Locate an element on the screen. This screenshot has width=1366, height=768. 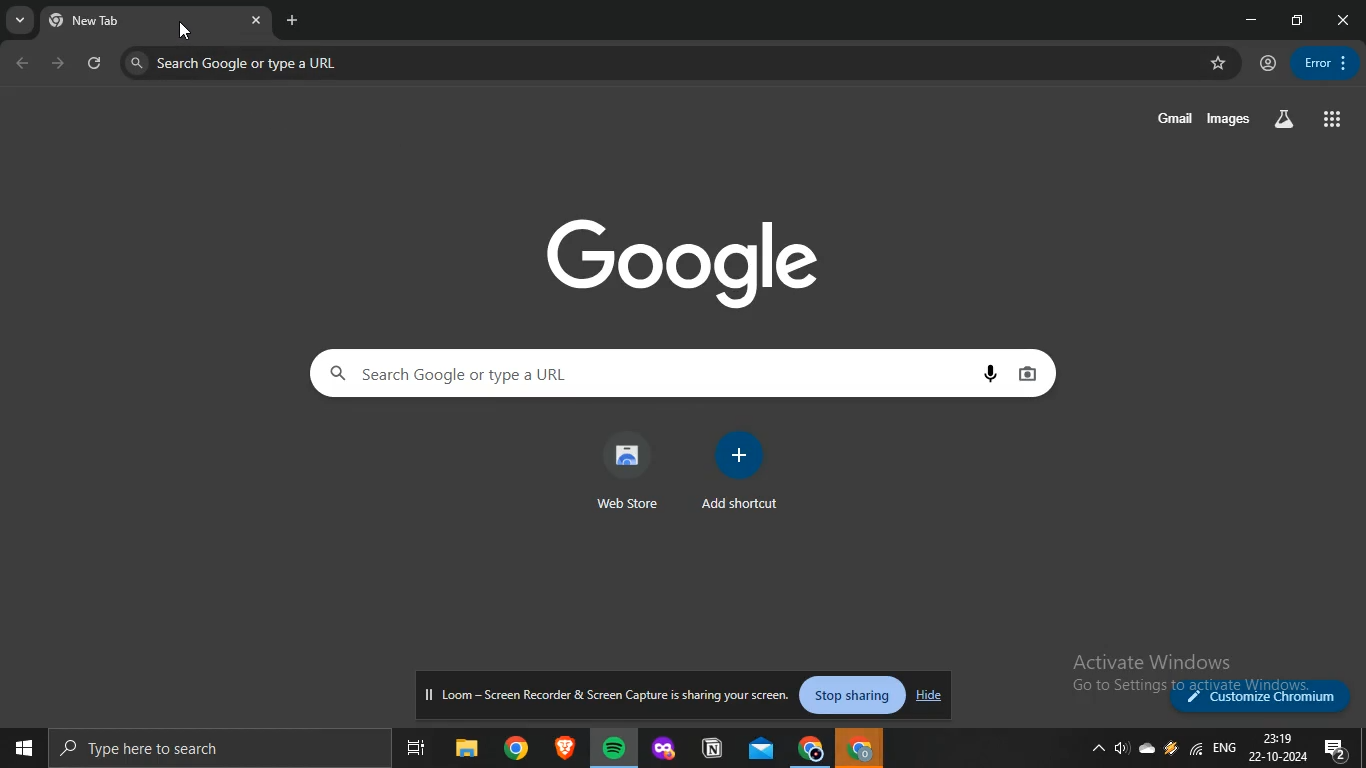
23:9 22-10-2024 is located at coordinates (1278, 746).